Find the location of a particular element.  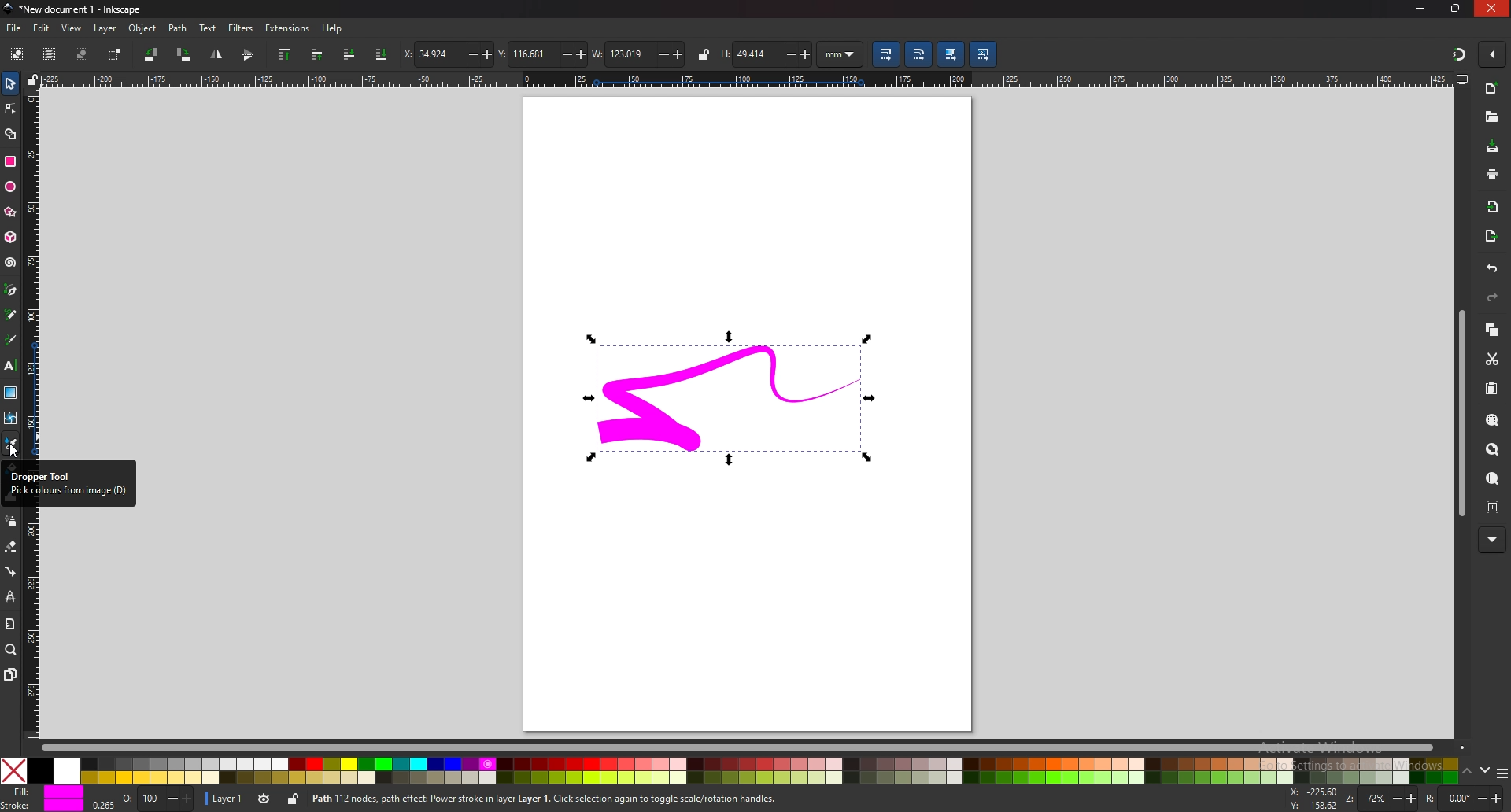

flip horizontally is located at coordinates (251, 55).